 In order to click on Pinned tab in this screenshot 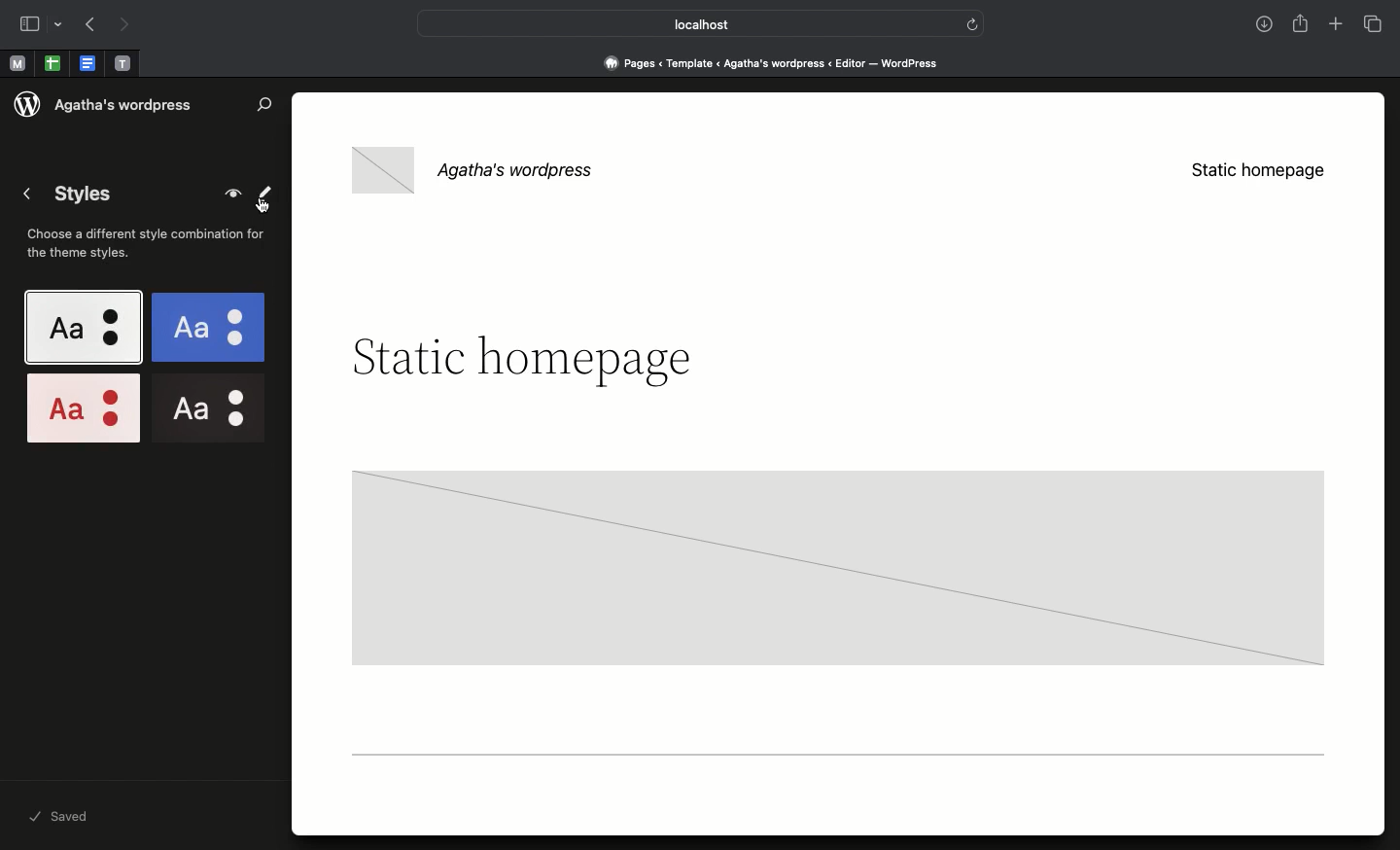, I will do `click(89, 64)`.